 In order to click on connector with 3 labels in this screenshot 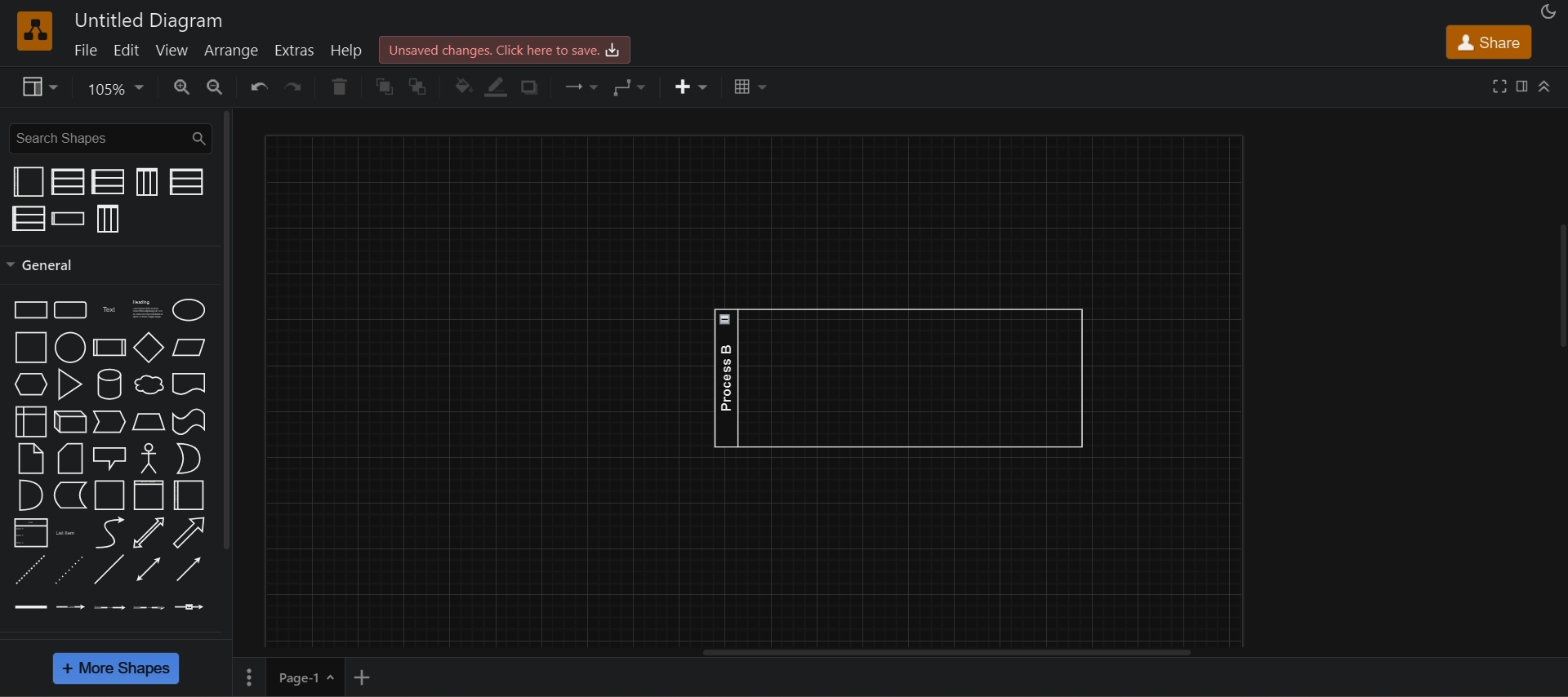, I will do `click(149, 608)`.